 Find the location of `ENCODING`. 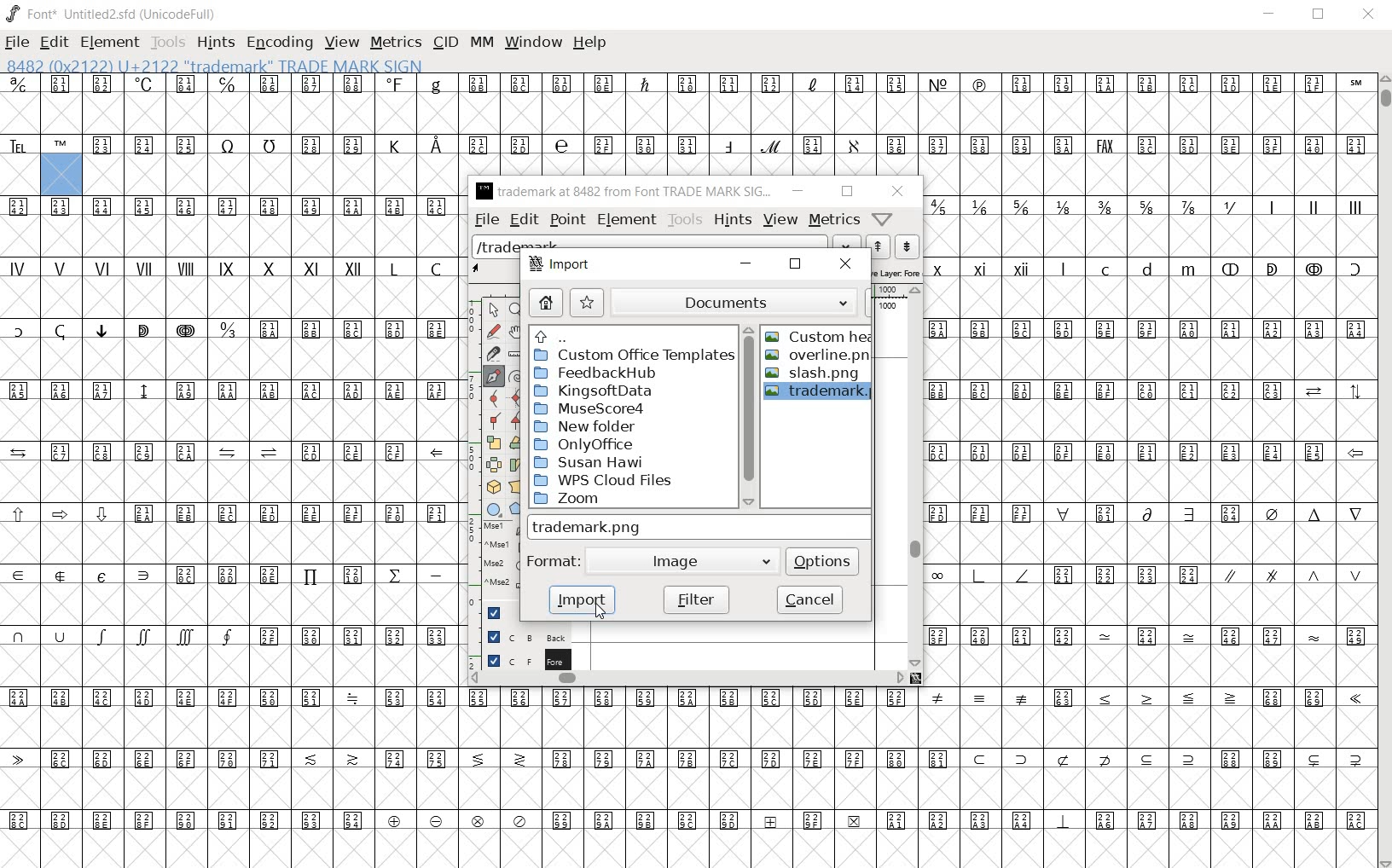

ENCODING is located at coordinates (280, 43).